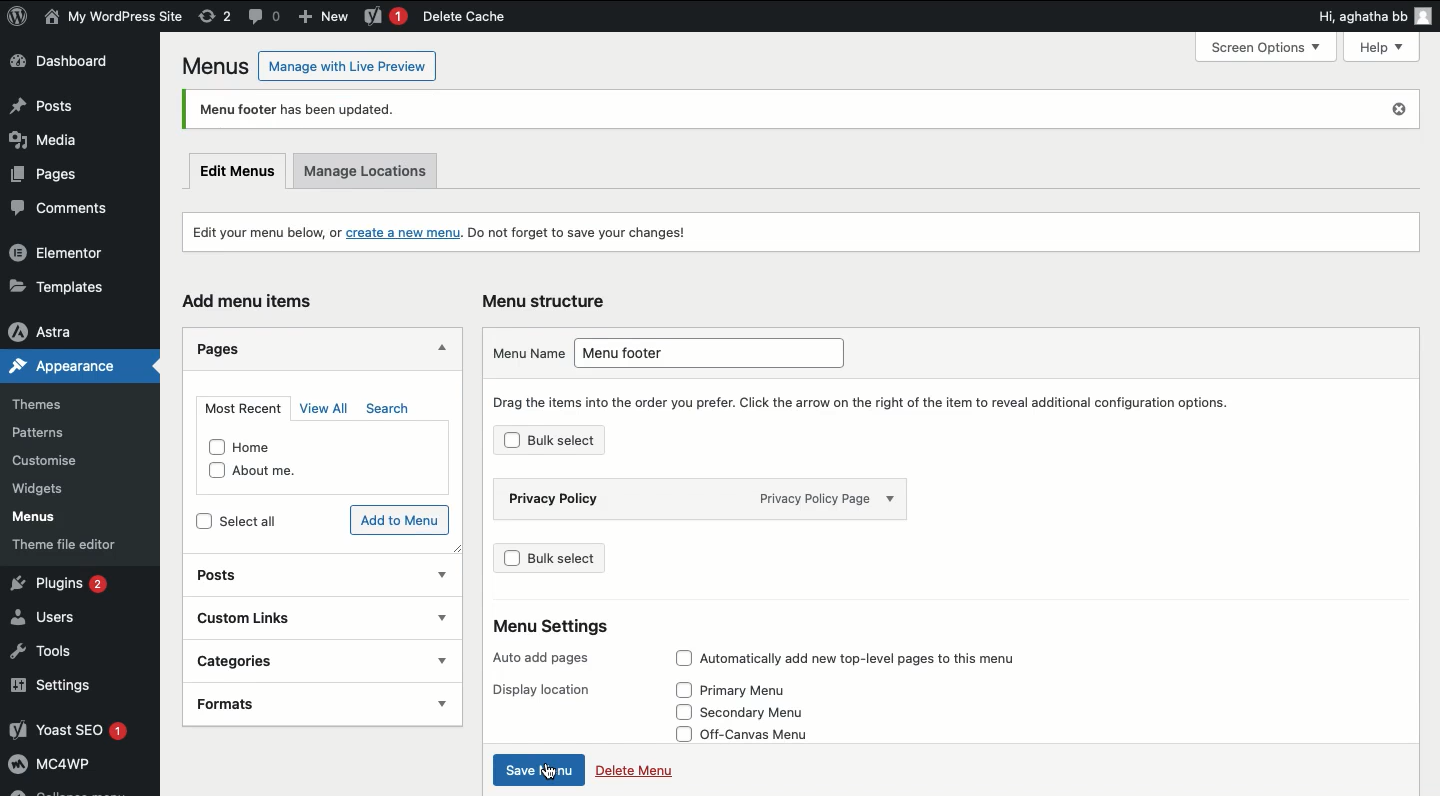 The image size is (1440, 796). What do you see at coordinates (215, 348) in the screenshot?
I see `Pages` at bounding box center [215, 348].